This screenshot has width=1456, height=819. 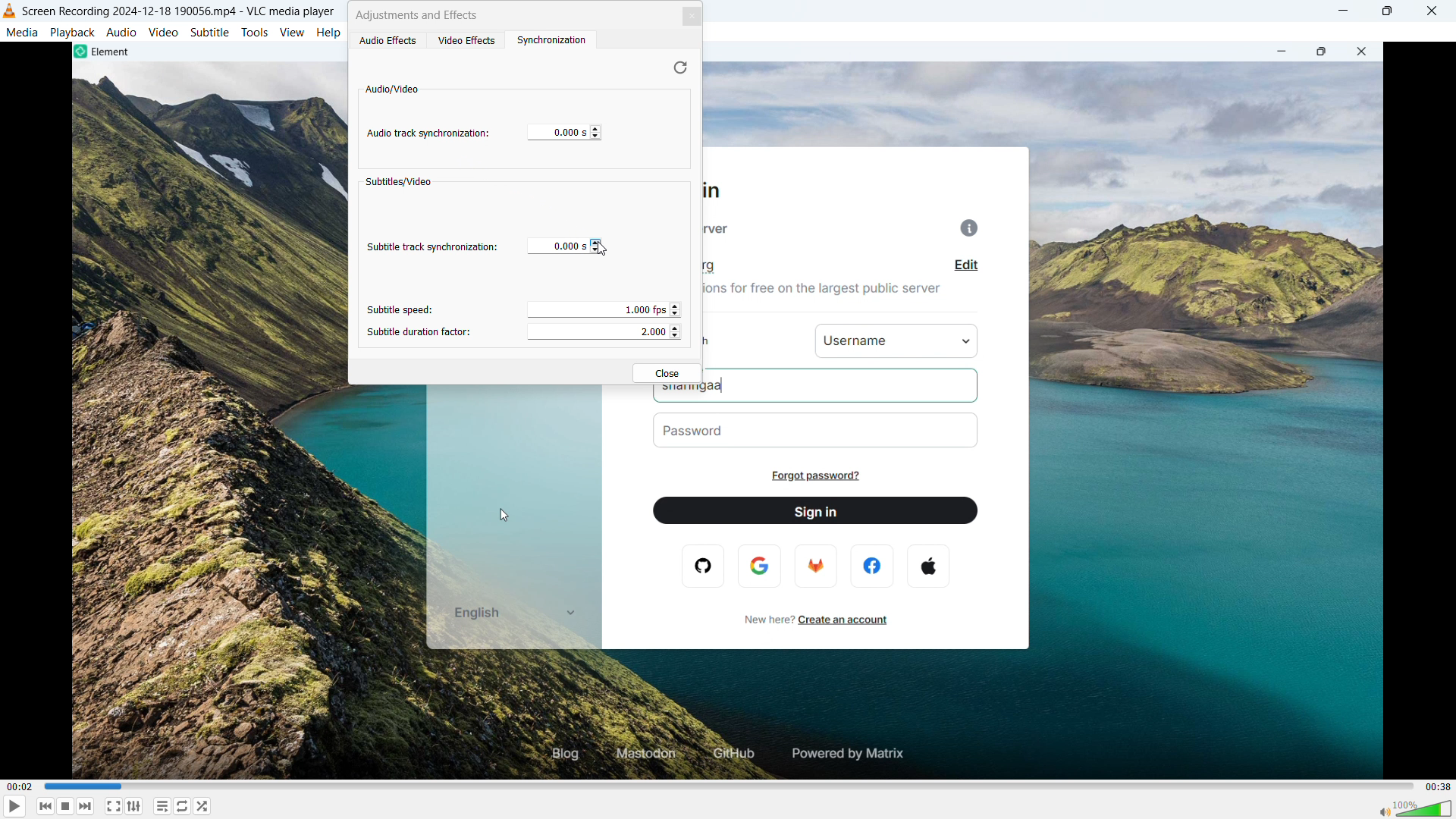 What do you see at coordinates (818, 477) in the screenshot?
I see `forgot password?` at bounding box center [818, 477].